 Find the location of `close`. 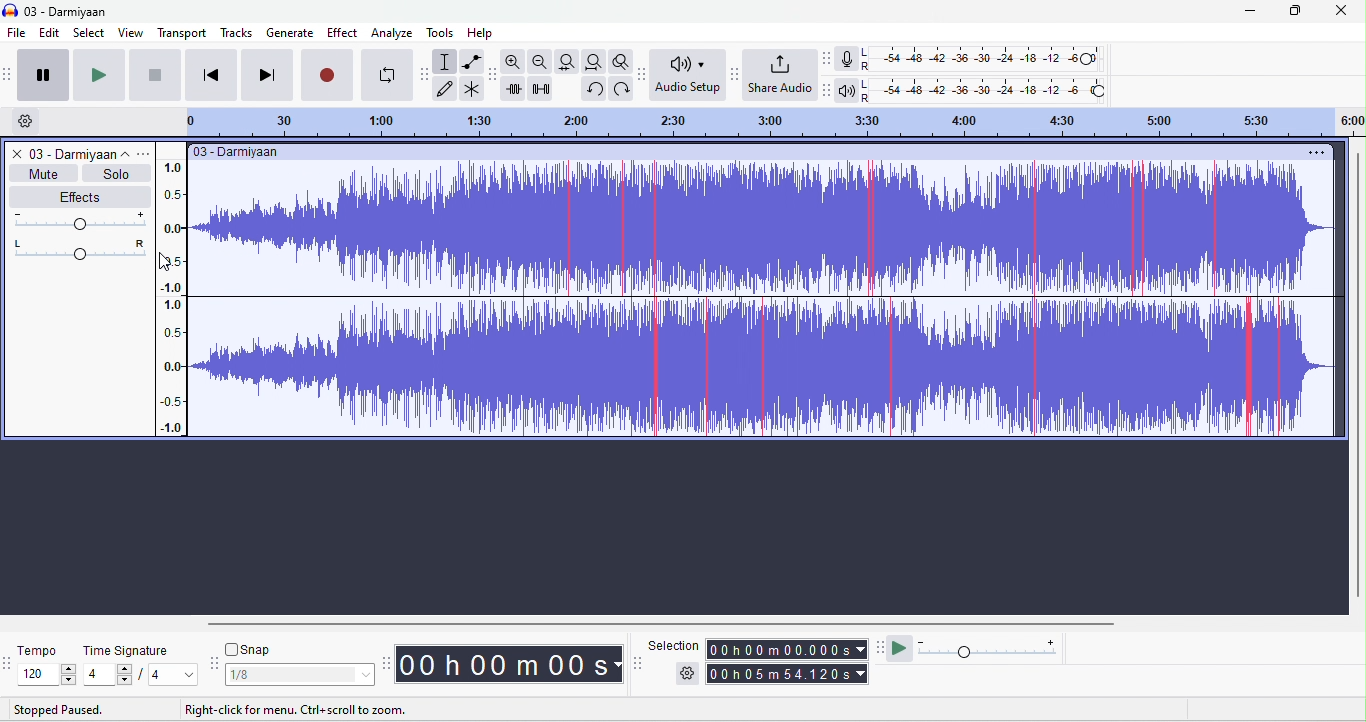

close is located at coordinates (1341, 12).